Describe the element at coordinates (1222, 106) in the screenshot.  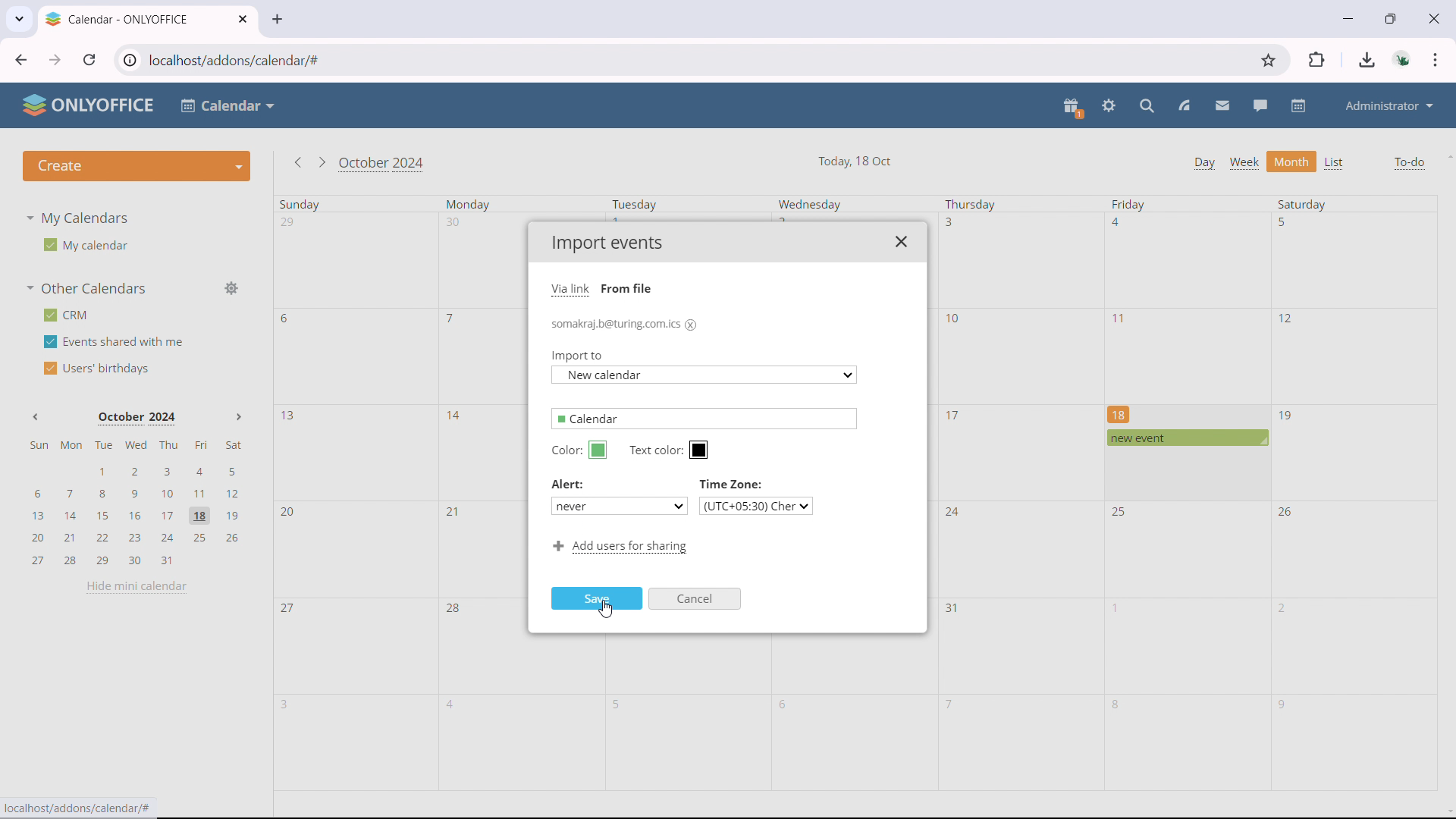
I see `mail` at that location.